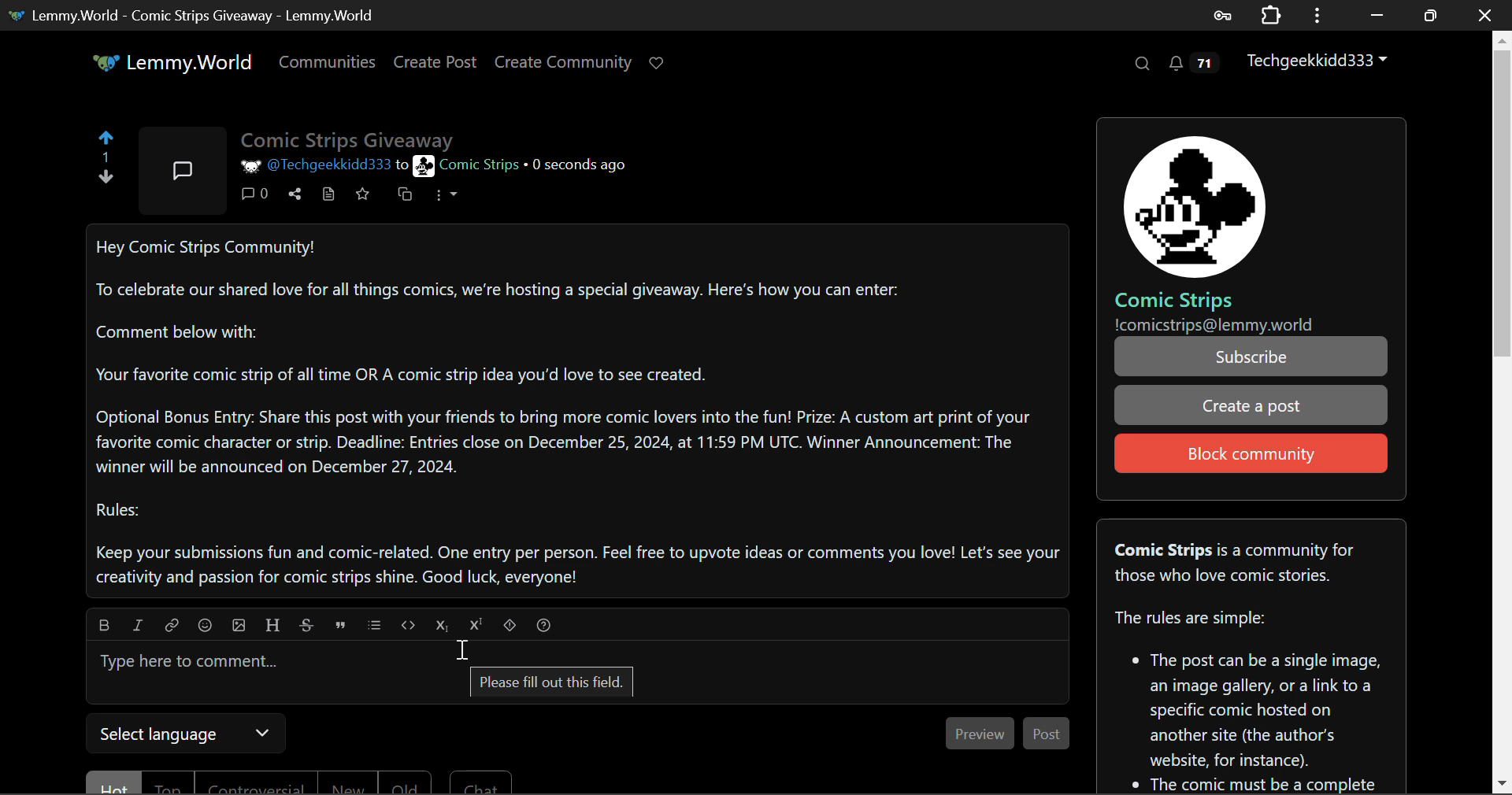 The height and width of the screenshot is (795, 1512). I want to click on header, so click(275, 622).